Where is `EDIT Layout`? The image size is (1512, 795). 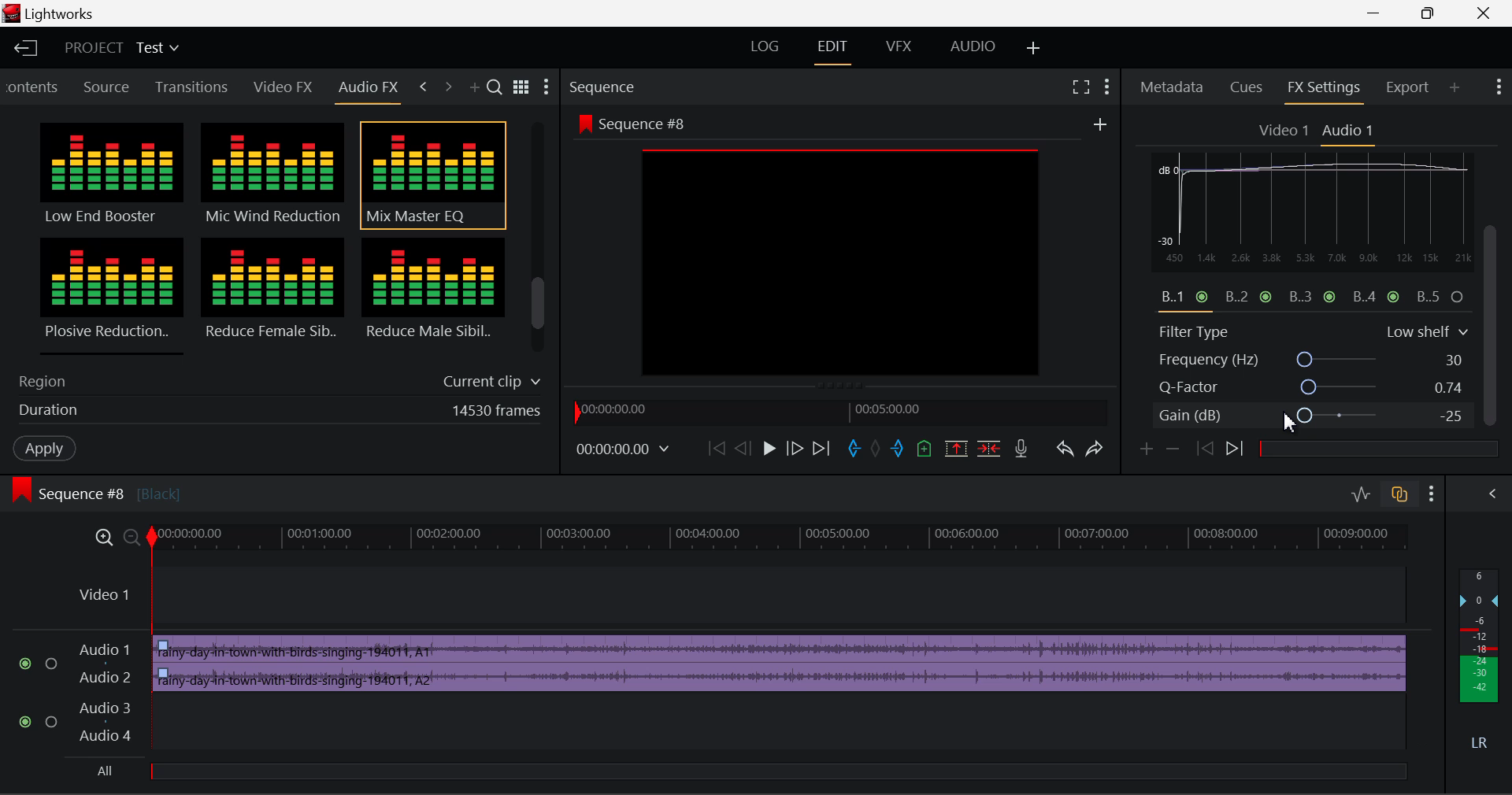
EDIT Layout is located at coordinates (838, 51).